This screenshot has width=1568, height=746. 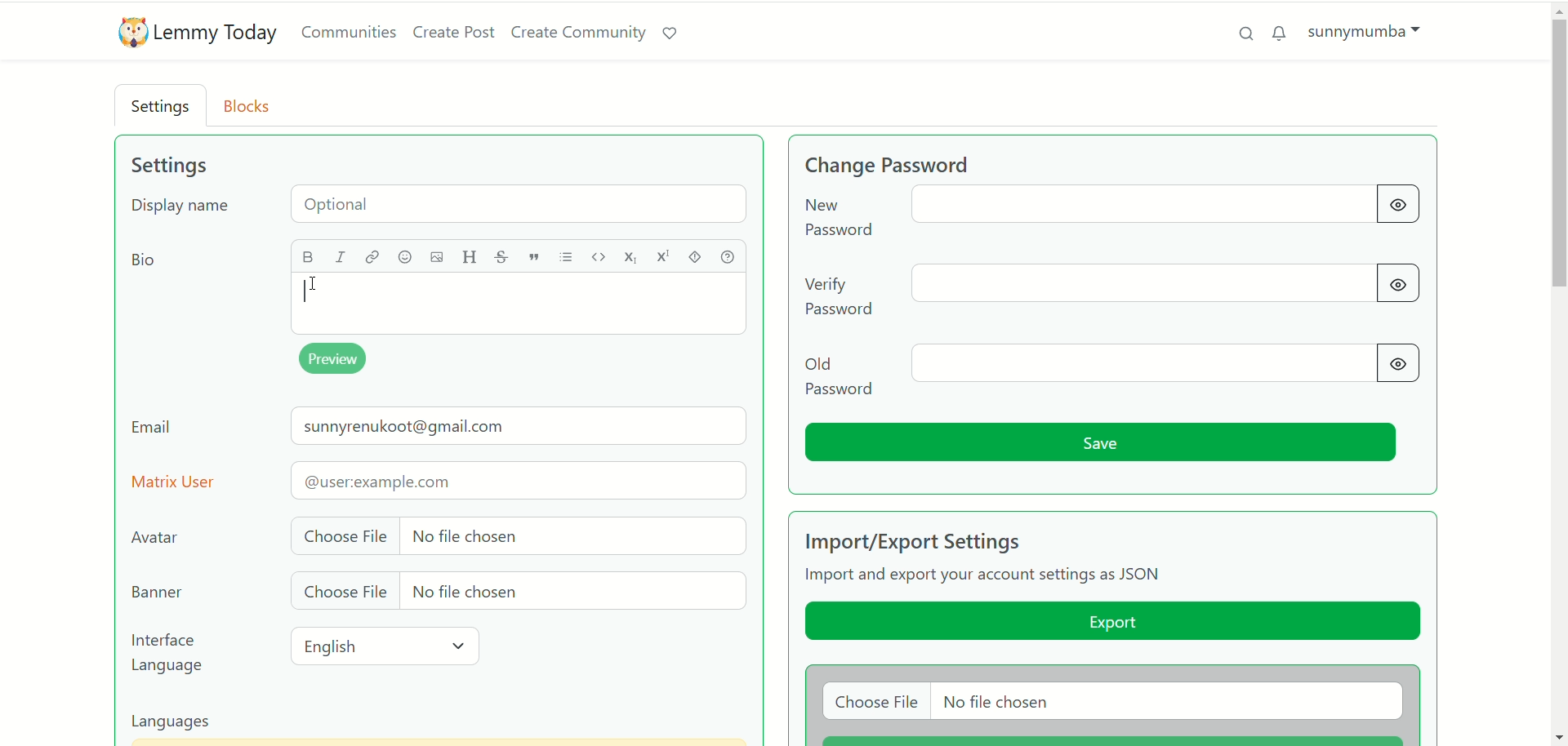 I want to click on help, so click(x=731, y=256).